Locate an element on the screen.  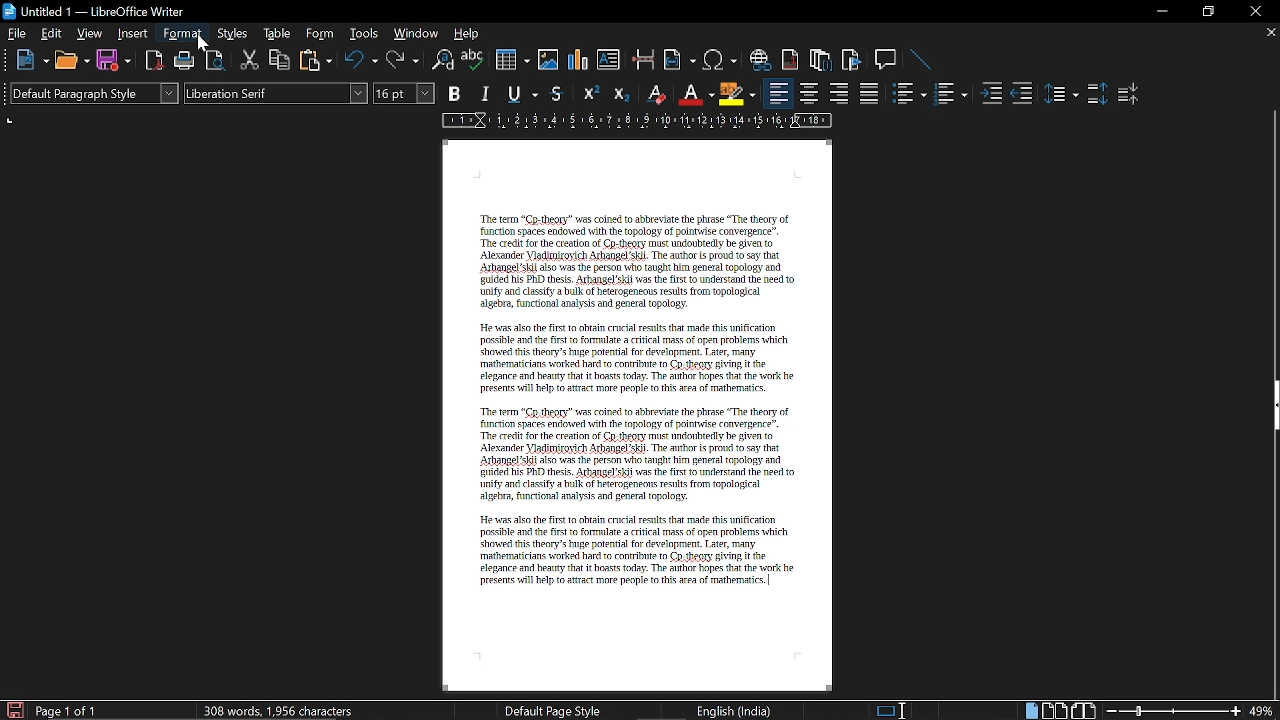
Insert link is located at coordinates (759, 60).